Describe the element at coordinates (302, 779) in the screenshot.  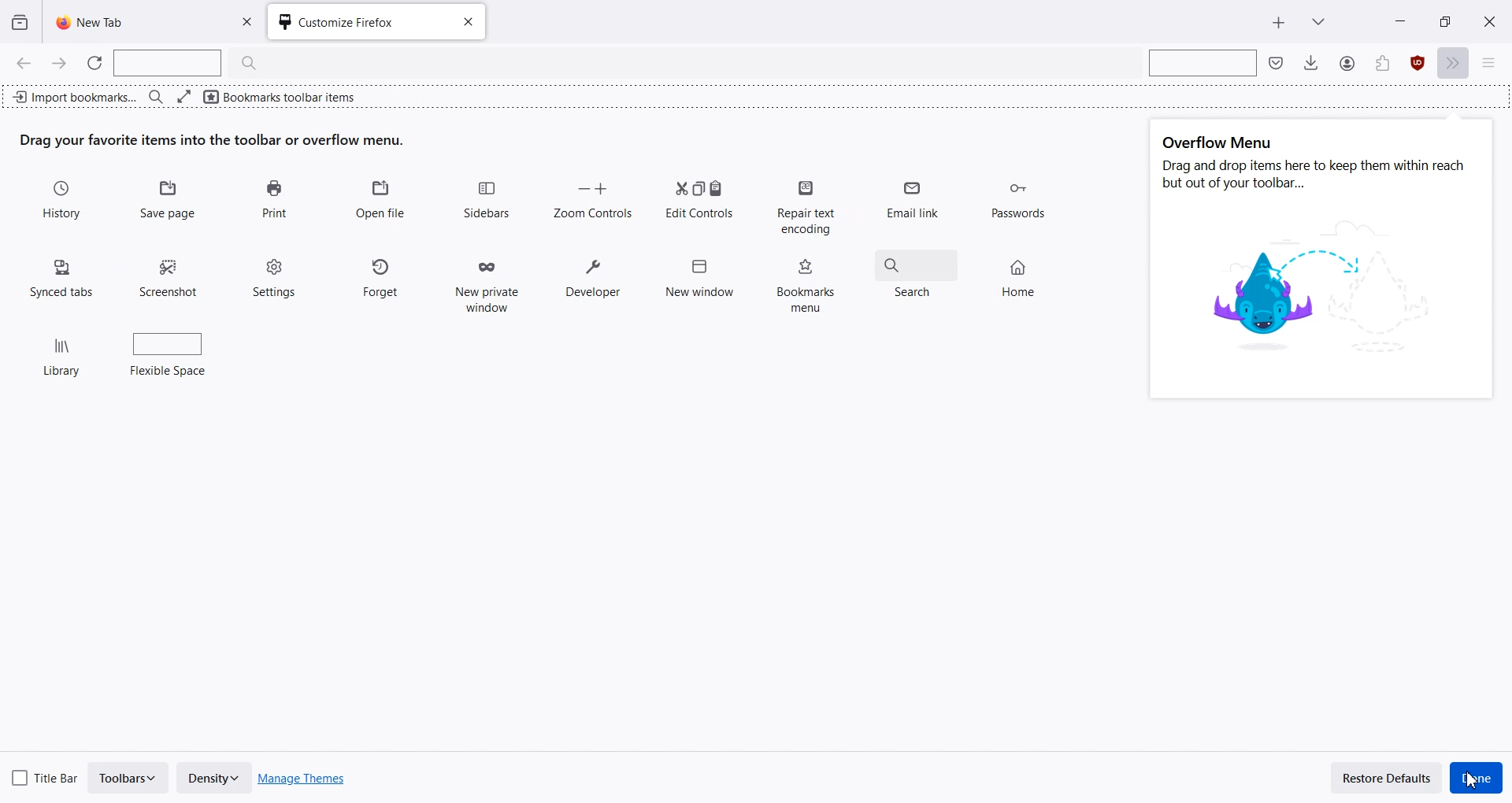
I see `Manage Themes` at that location.